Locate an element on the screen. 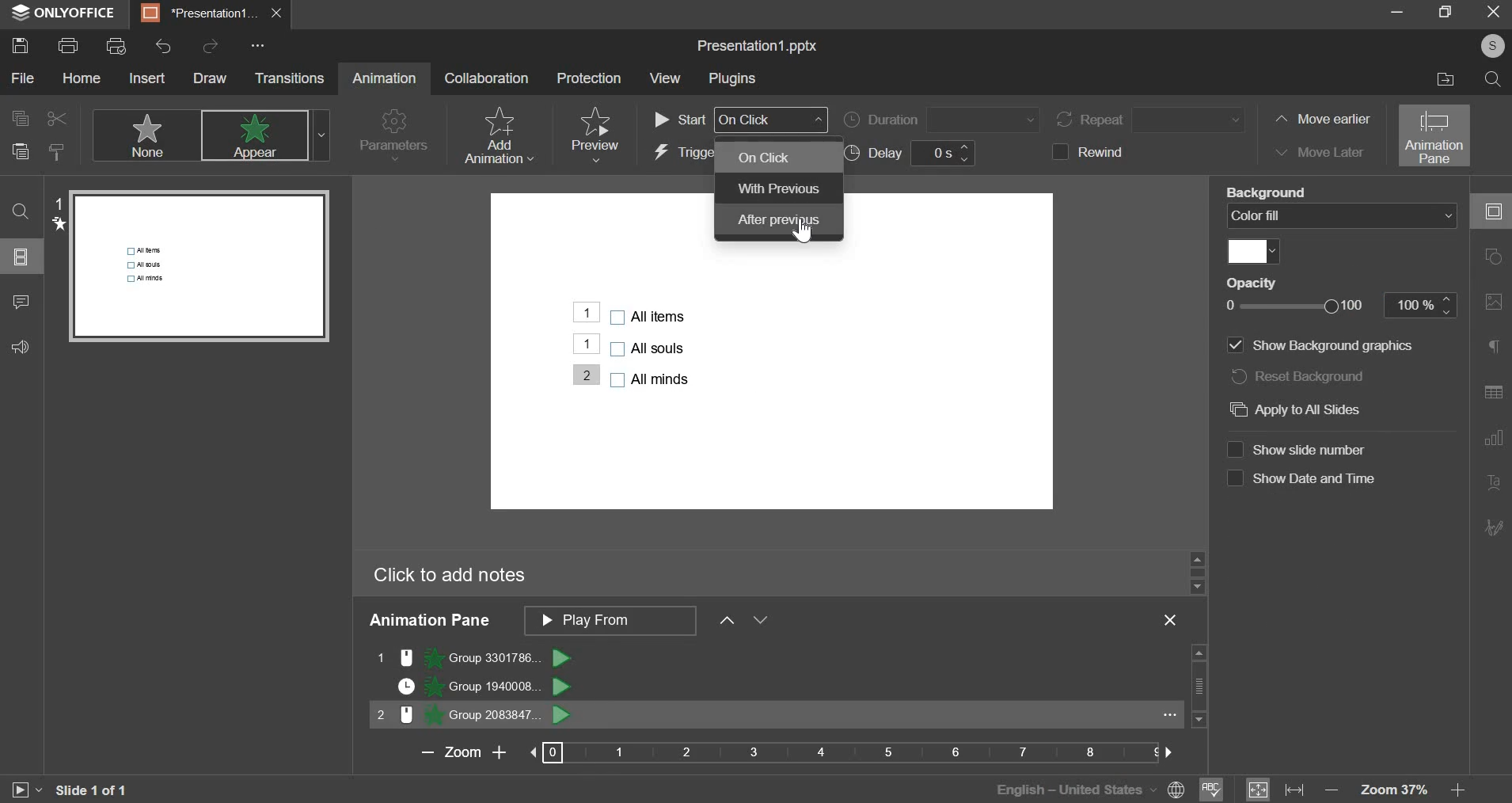 The image size is (1512, 803). onlyoffice is located at coordinates (62, 13).